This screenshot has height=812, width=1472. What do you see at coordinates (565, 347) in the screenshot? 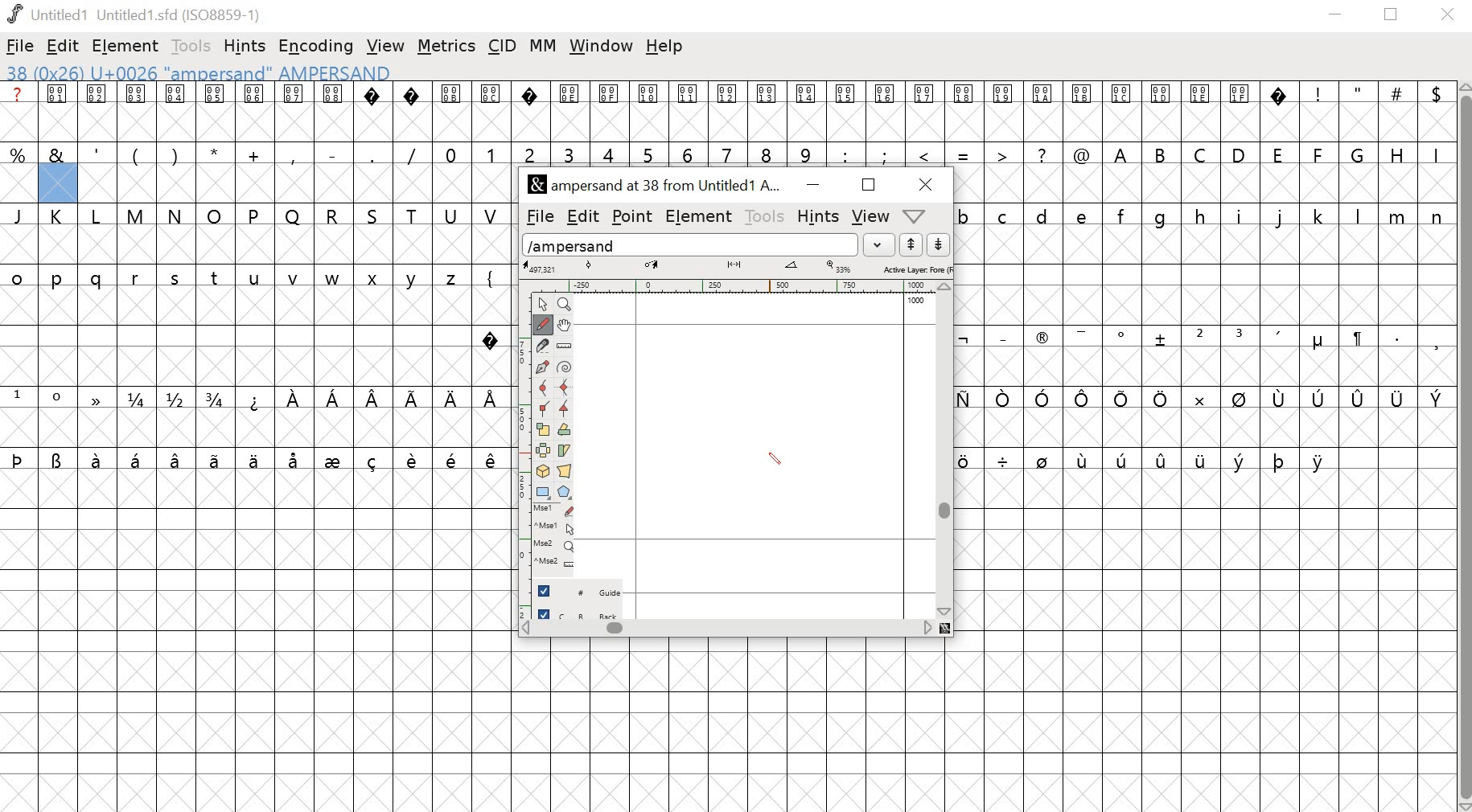
I see `measure distance, angle between  two points` at bounding box center [565, 347].